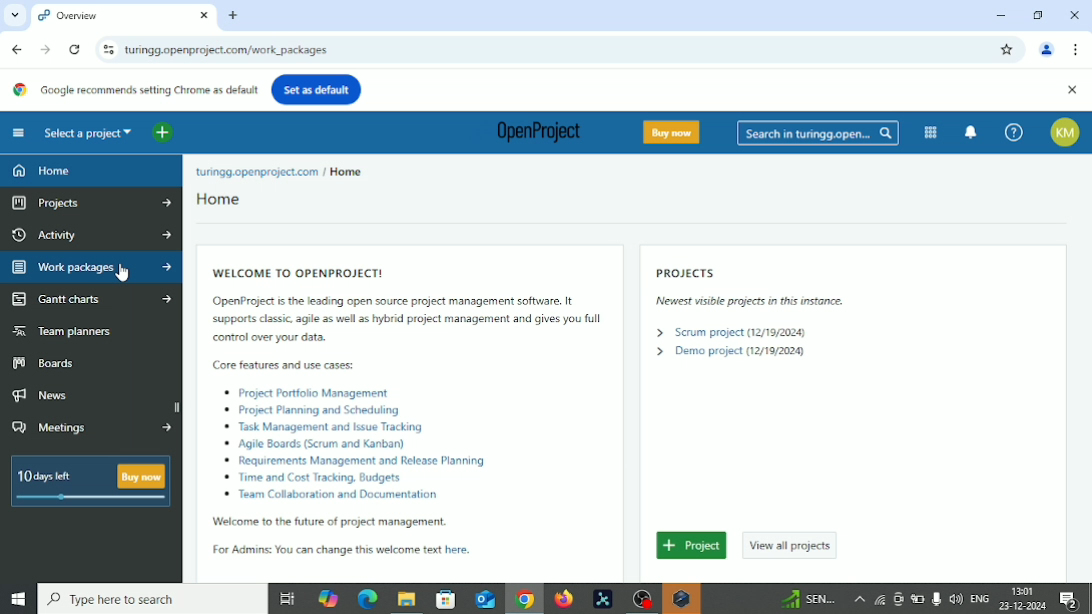  Describe the element at coordinates (898, 599) in the screenshot. I see `Meet now` at that location.